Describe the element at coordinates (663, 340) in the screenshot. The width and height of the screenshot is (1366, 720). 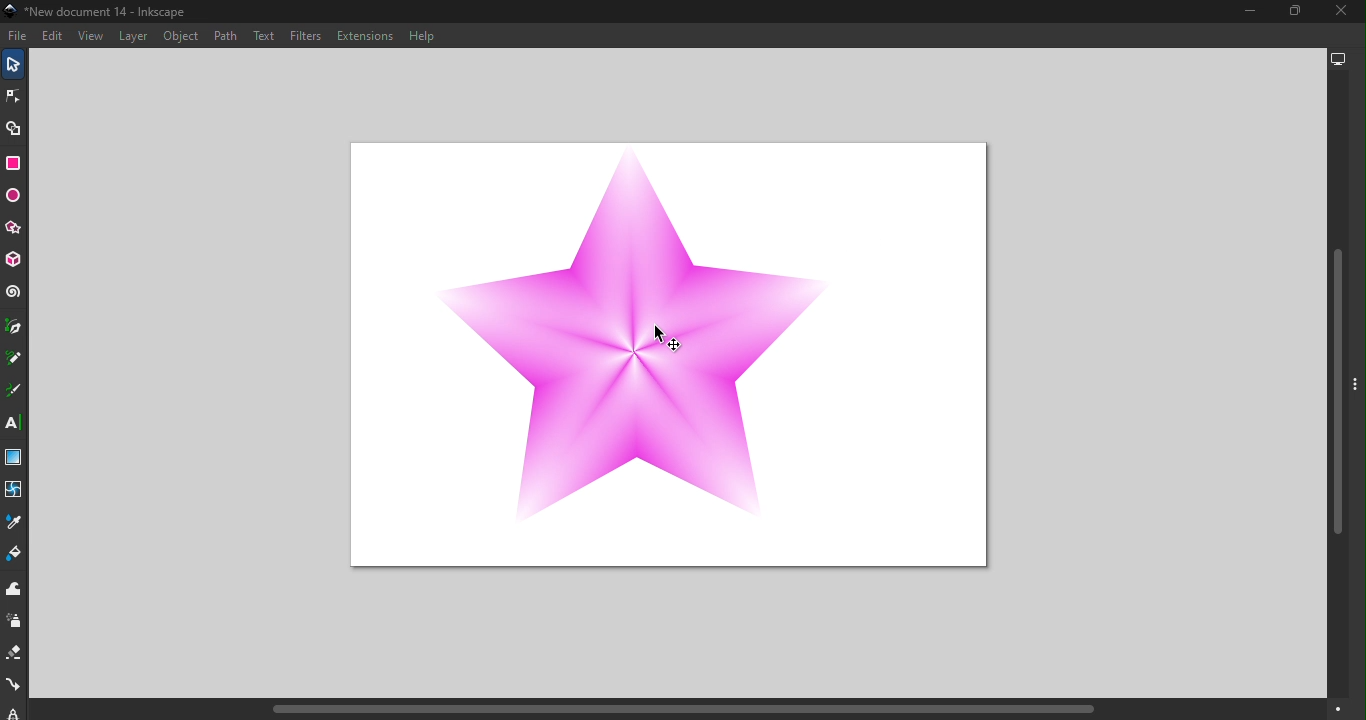
I see `cursor` at that location.